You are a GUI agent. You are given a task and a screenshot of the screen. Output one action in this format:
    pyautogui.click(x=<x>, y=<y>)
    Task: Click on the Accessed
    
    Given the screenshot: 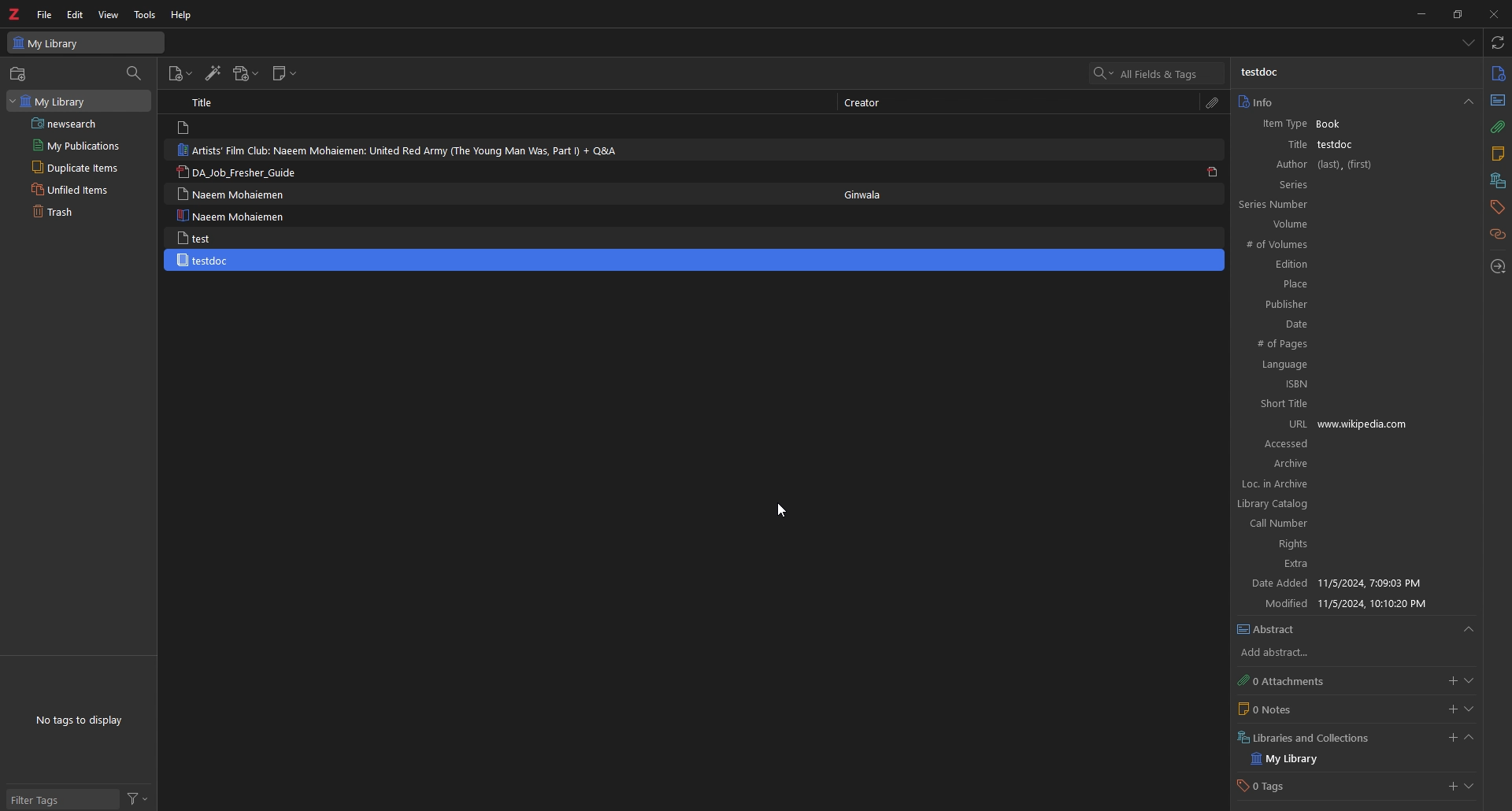 What is the action you would take?
    pyautogui.click(x=1357, y=445)
    